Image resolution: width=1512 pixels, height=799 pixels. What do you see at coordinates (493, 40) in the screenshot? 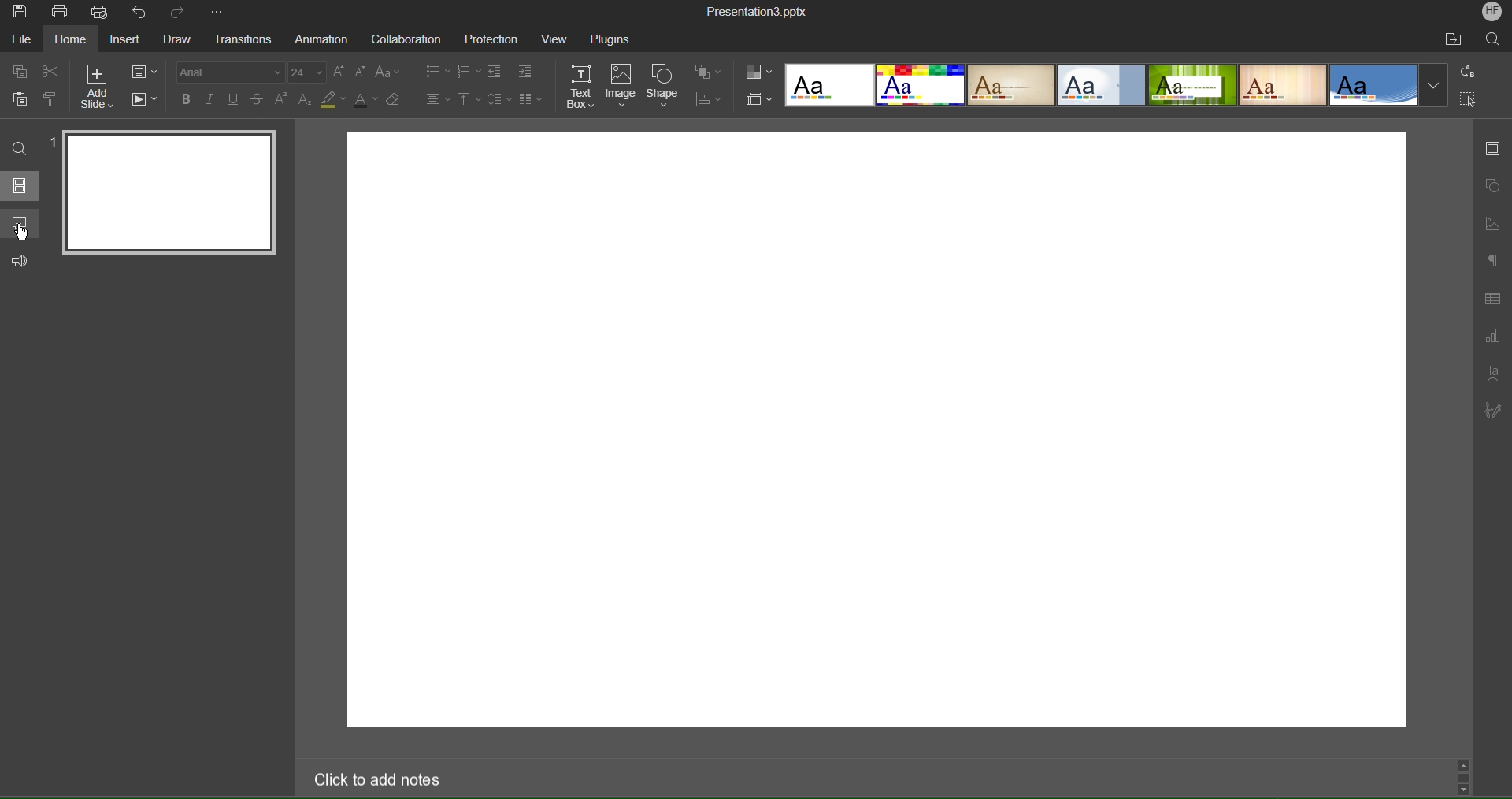
I see `Protection` at bounding box center [493, 40].